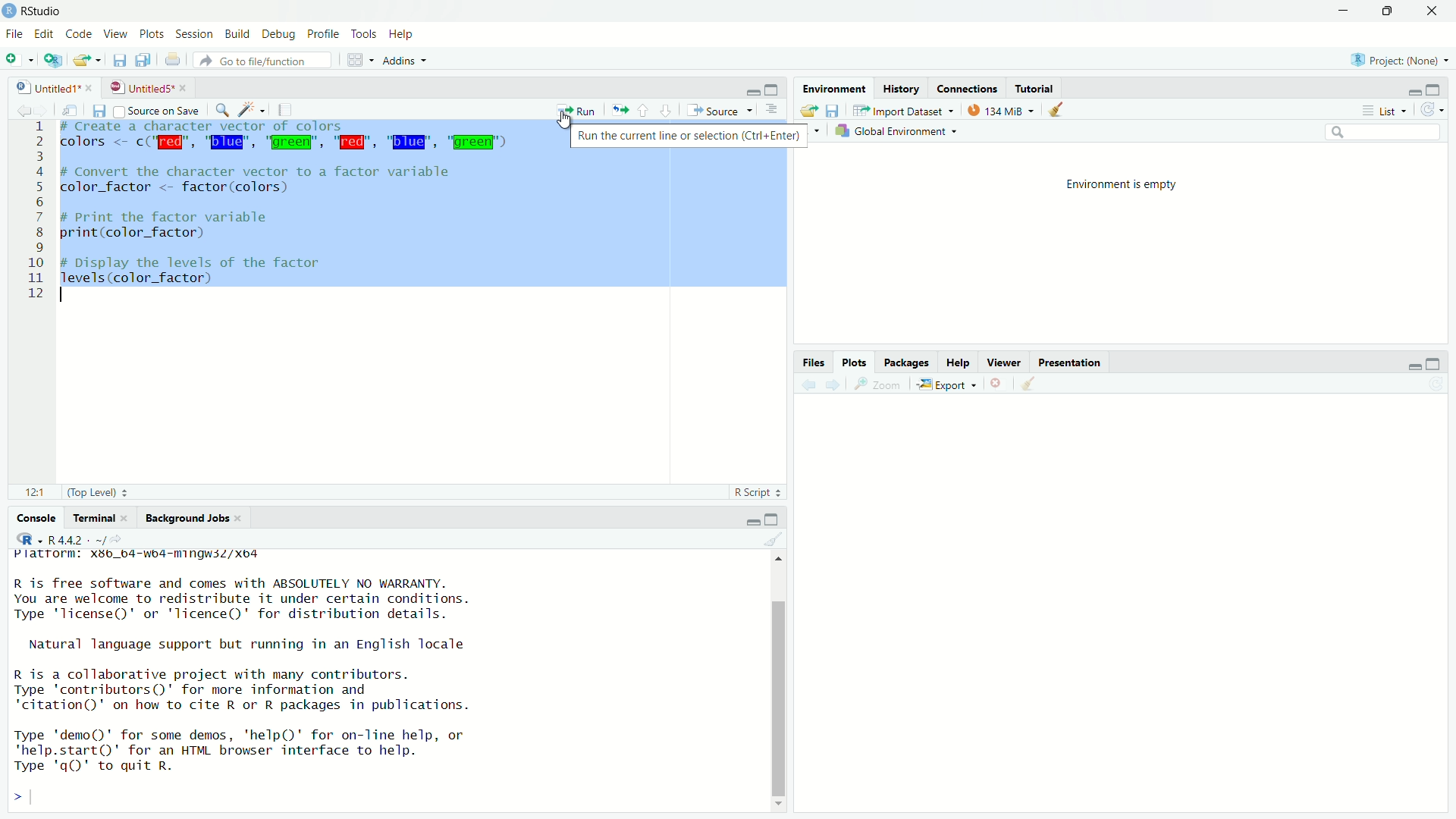 This screenshot has height=819, width=1456. What do you see at coordinates (195, 34) in the screenshot?
I see `session` at bounding box center [195, 34].